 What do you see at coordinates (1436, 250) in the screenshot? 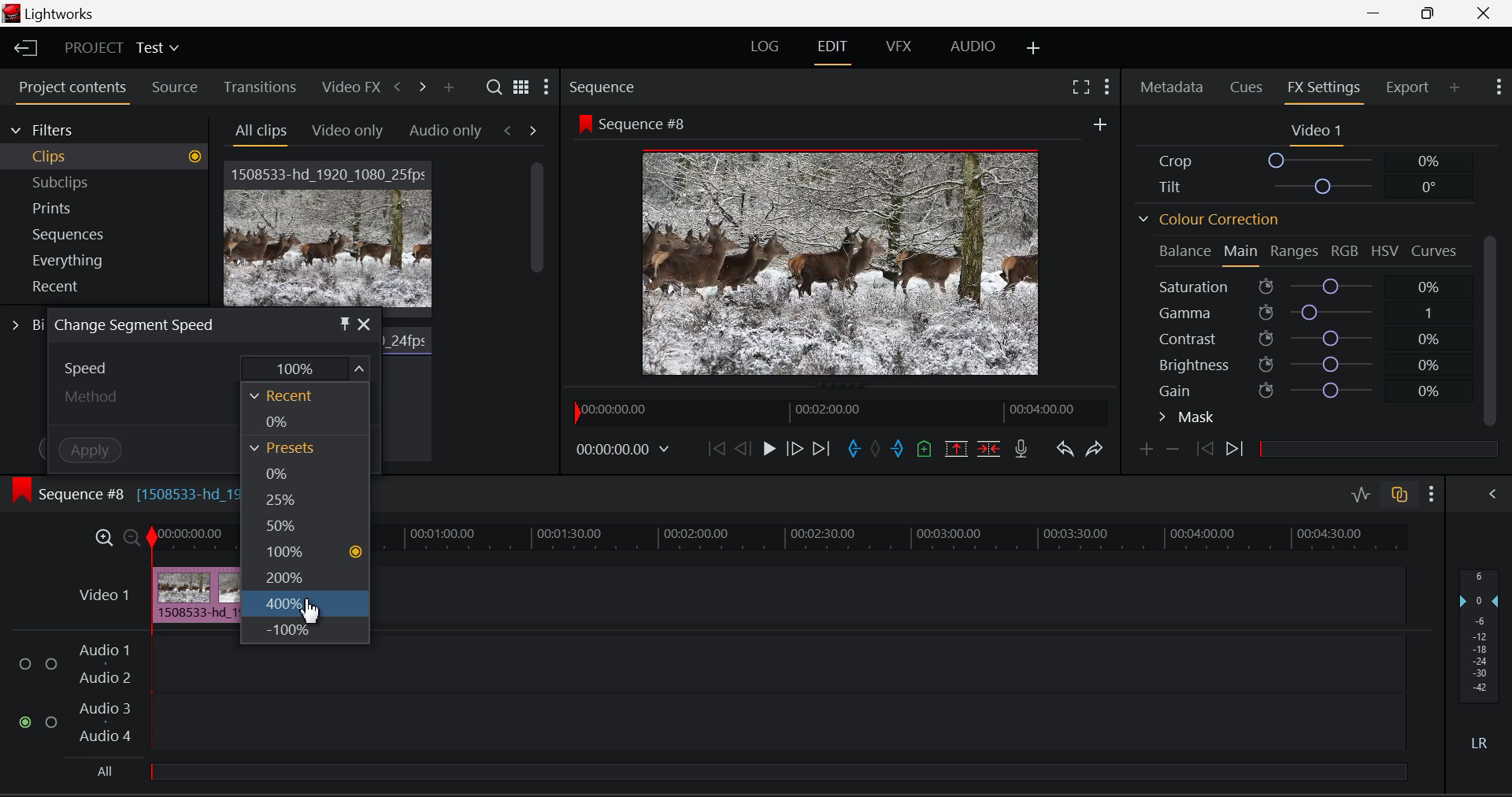
I see `Curves` at bounding box center [1436, 250].